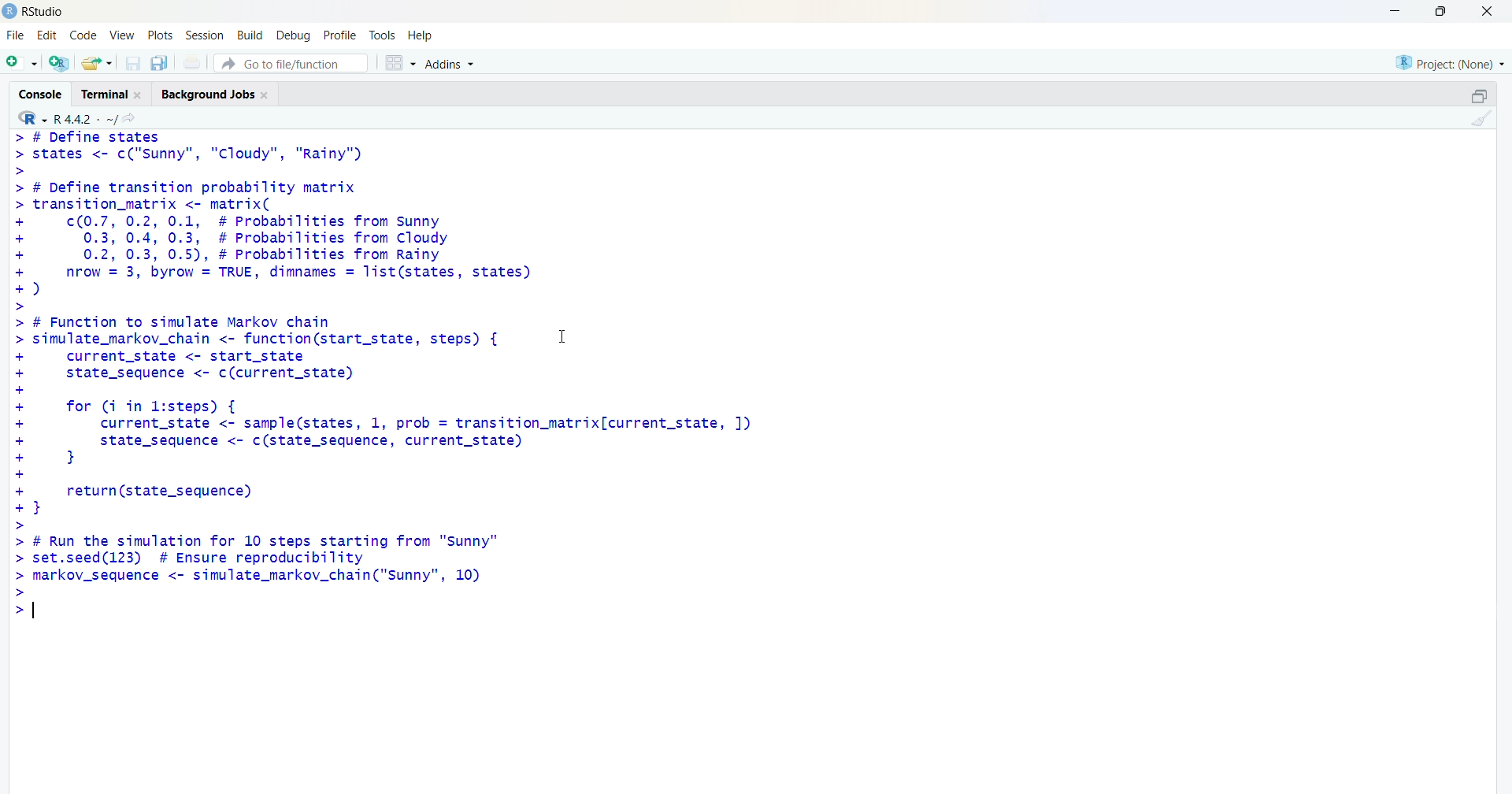 This screenshot has height=794, width=1512. What do you see at coordinates (21, 62) in the screenshot?
I see `new script` at bounding box center [21, 62].